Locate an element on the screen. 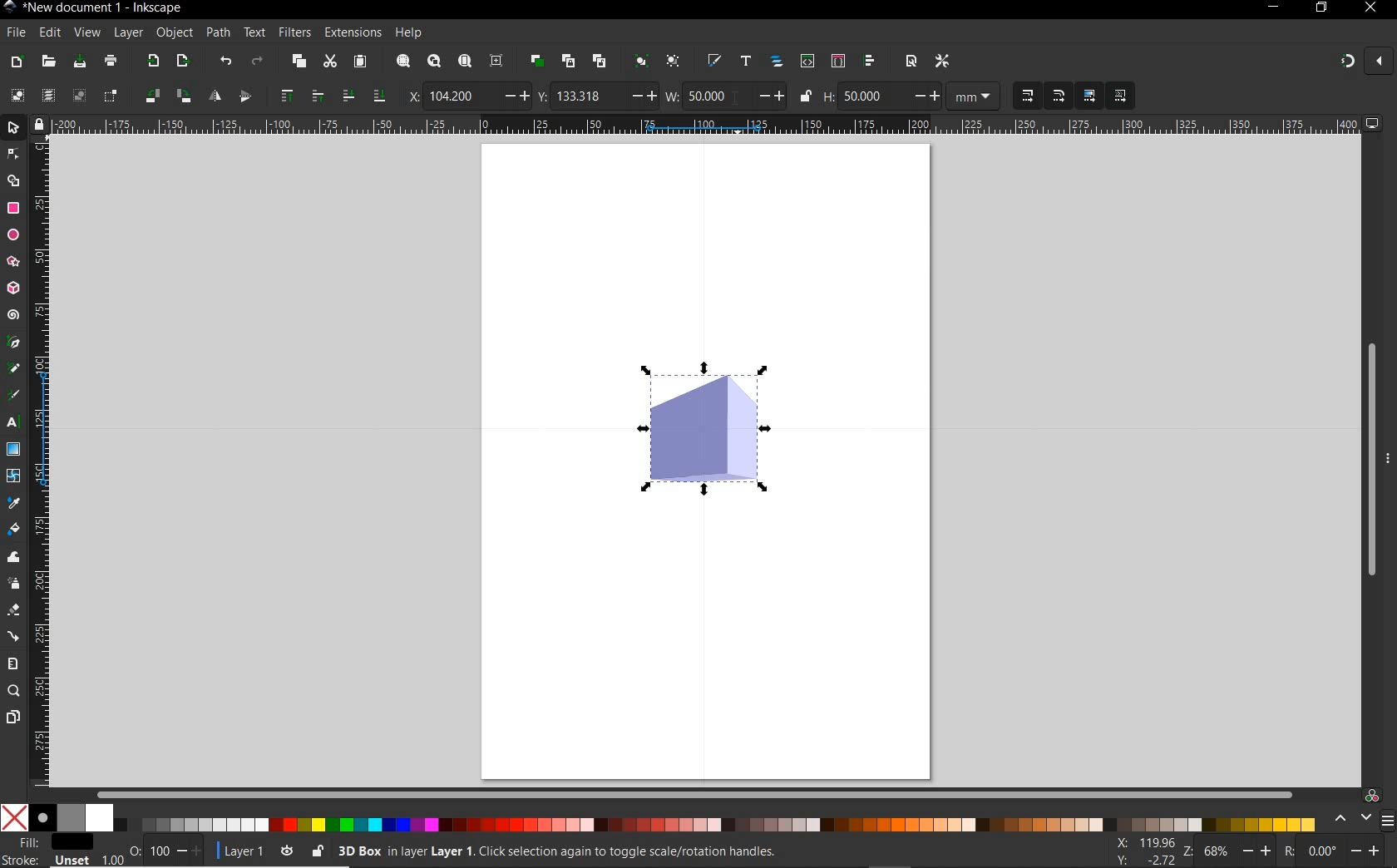 The height and width of the screenshot is (868, 1397). layer is located at coordinates (128, 33).